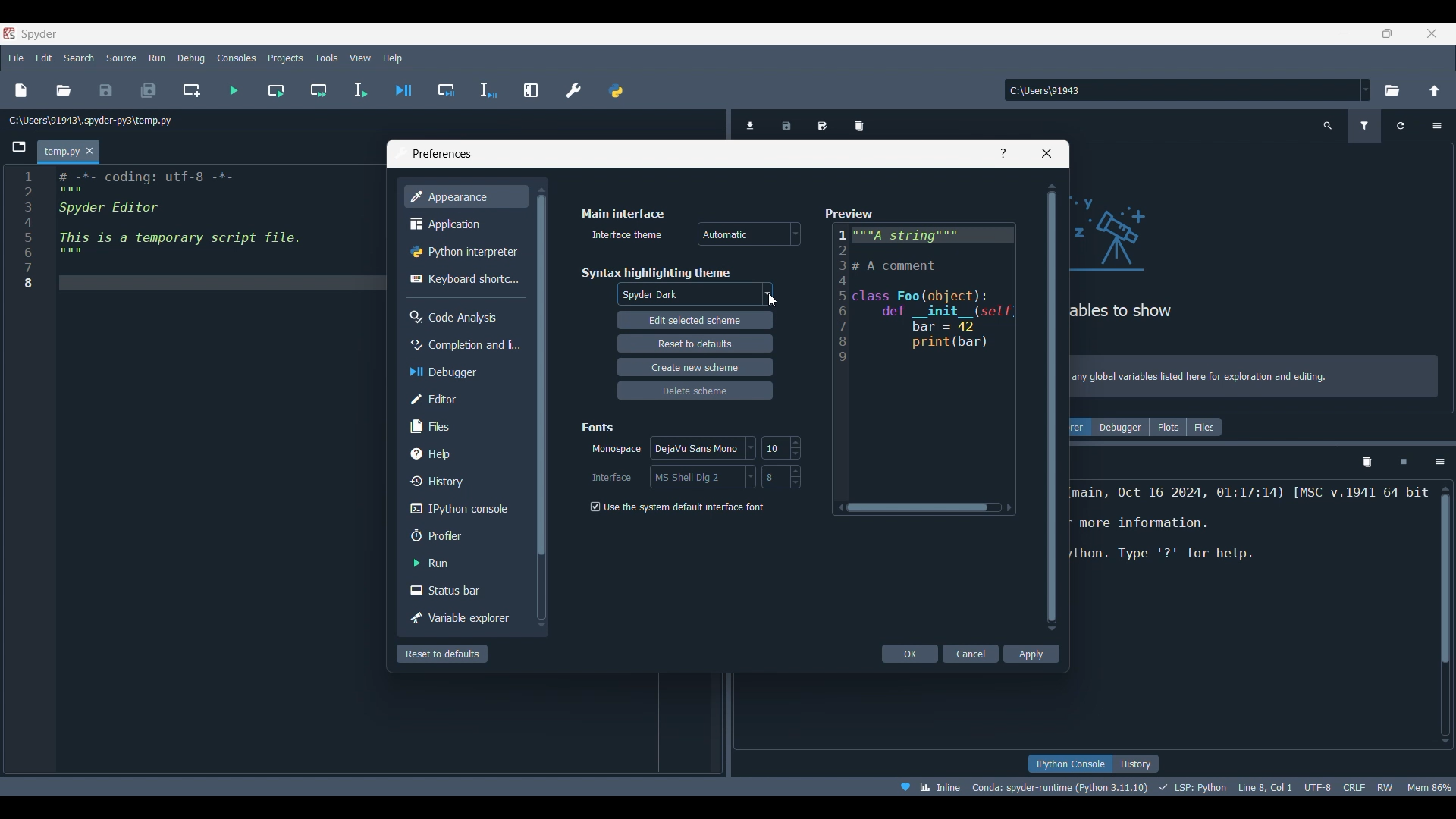  I want to click on Close tab, so click(89, 152).